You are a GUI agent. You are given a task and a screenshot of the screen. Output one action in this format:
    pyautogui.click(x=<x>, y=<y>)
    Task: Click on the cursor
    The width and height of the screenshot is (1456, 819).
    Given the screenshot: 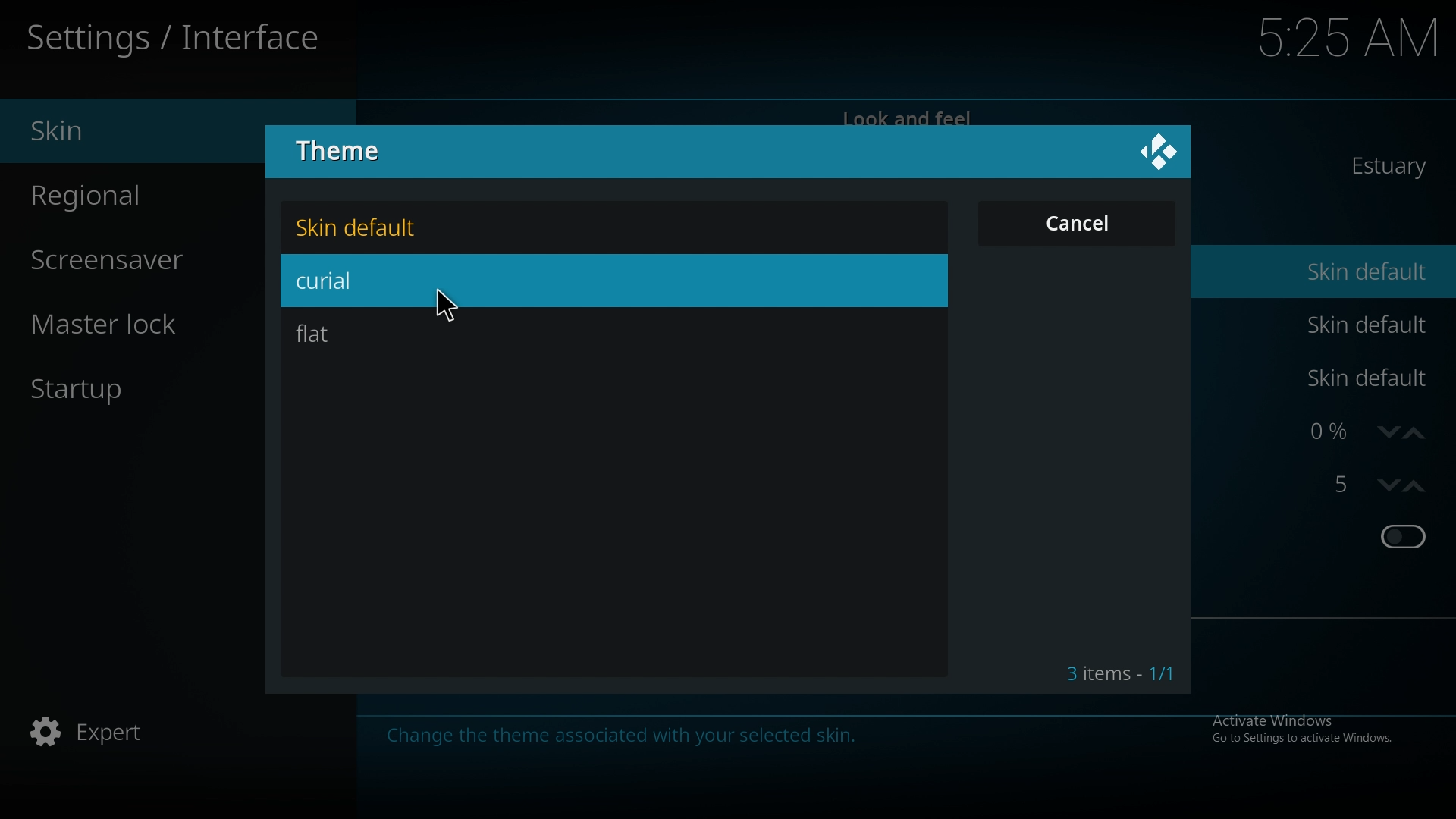 What is the action you would take?
    pyautogui.click(x=462, y=306)
    